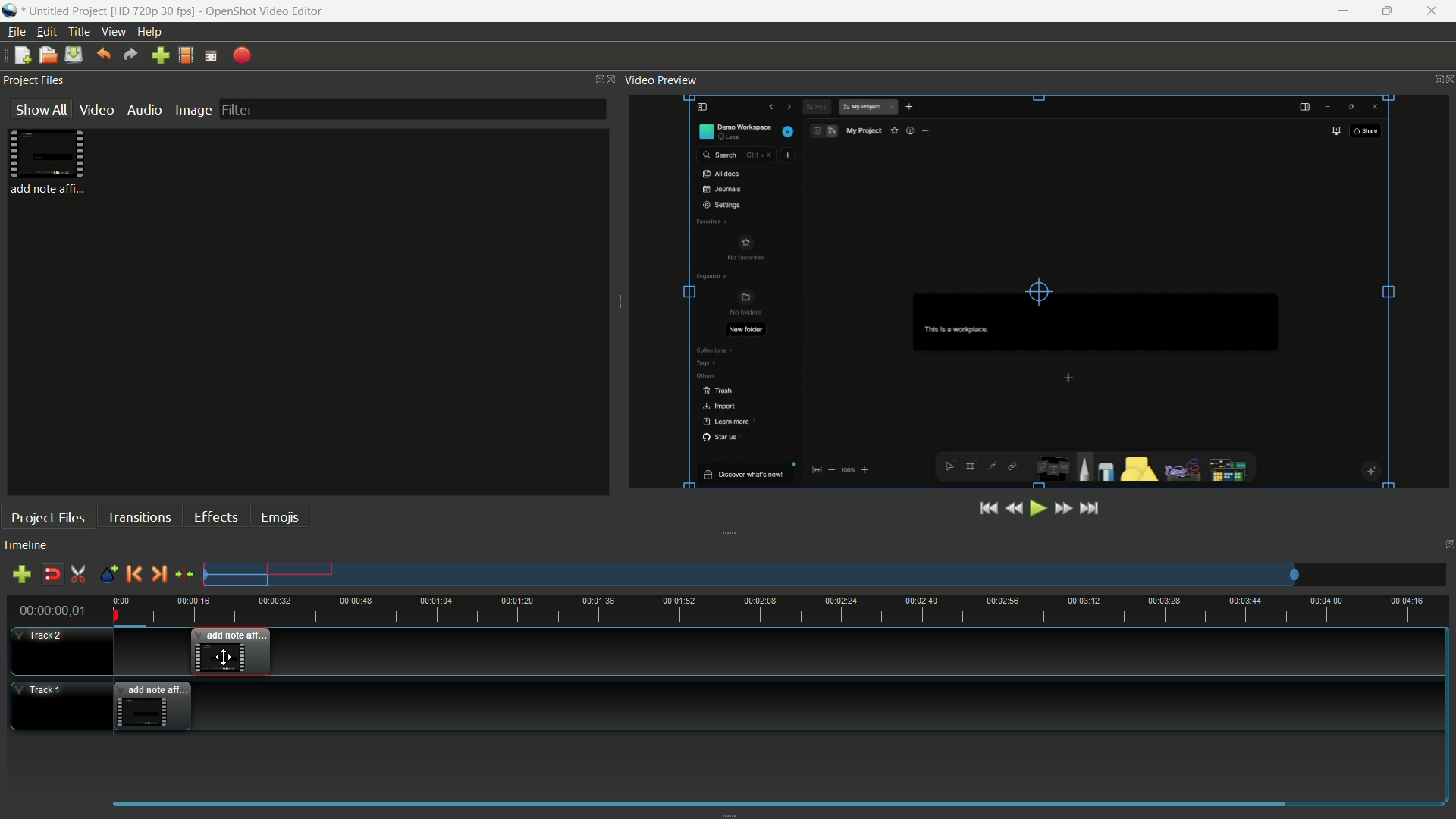 Image resolution: width=1456 pixels, height=819 pixels. I want to click on export, so click(240, 55).